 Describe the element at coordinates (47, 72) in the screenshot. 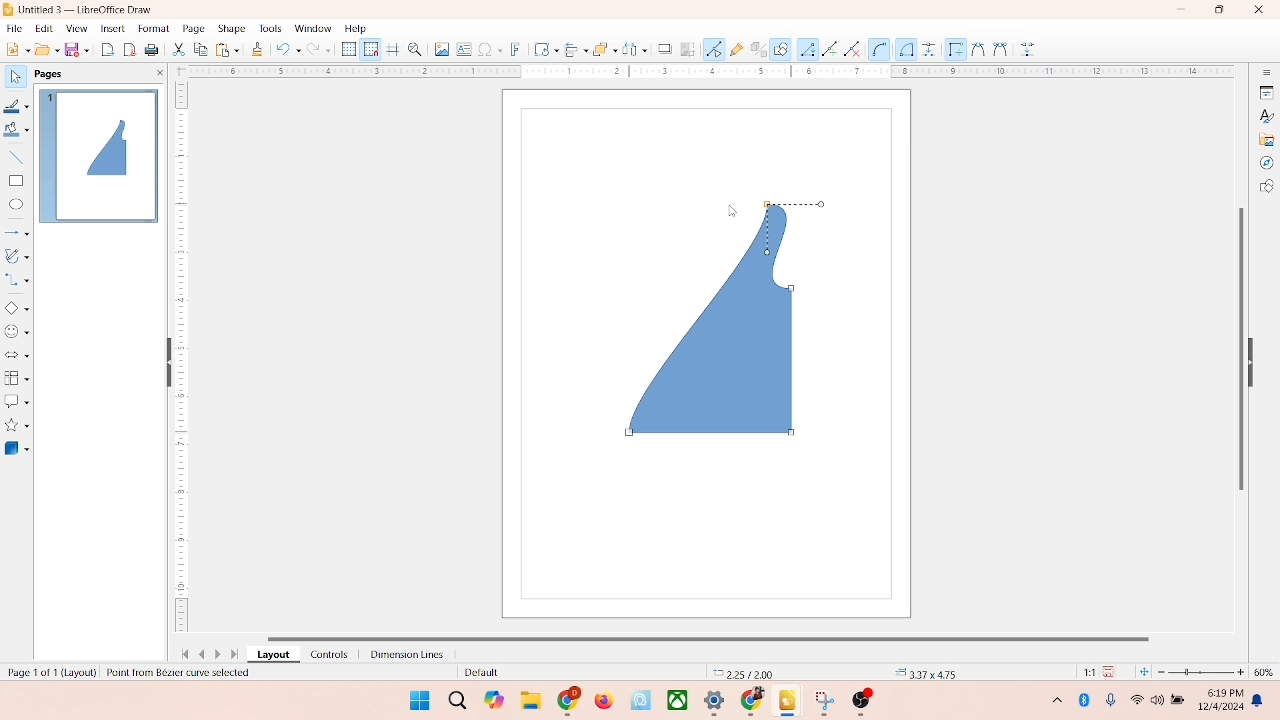

I see `pages` at that location.